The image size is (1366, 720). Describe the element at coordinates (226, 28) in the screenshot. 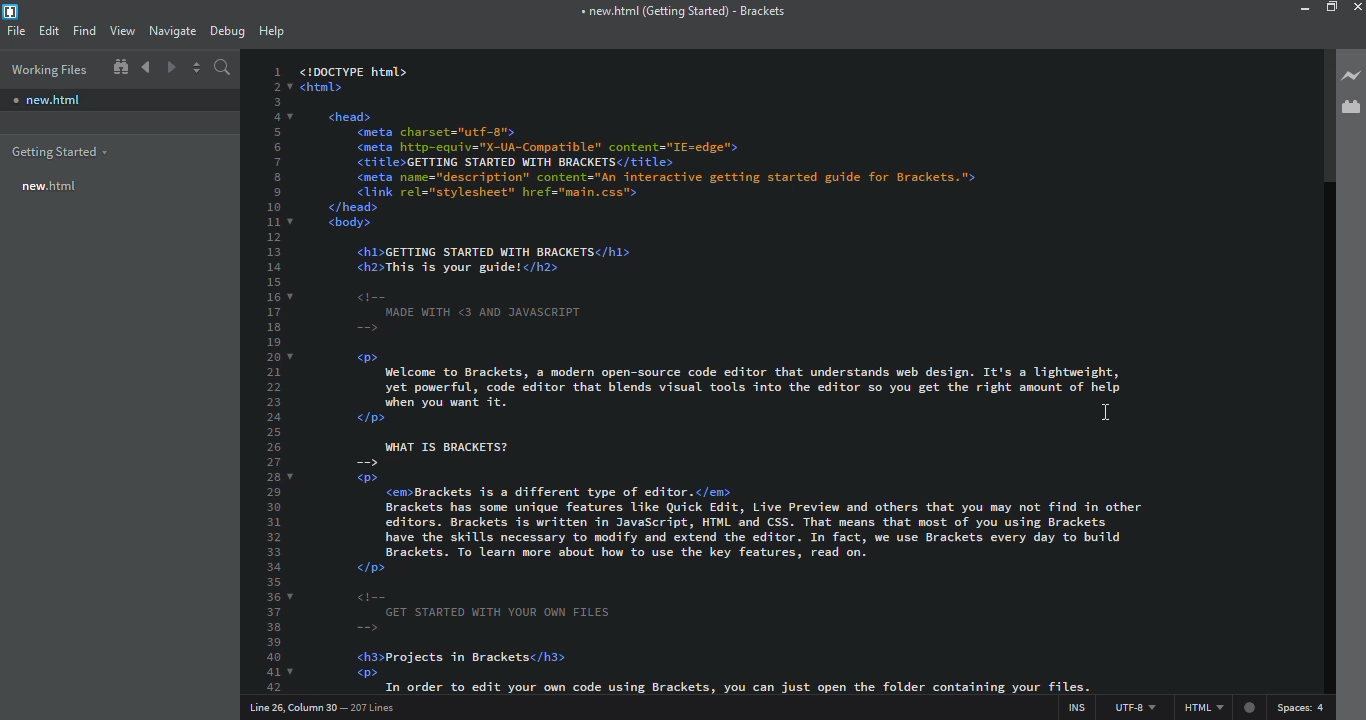

I see `debug` at that location.